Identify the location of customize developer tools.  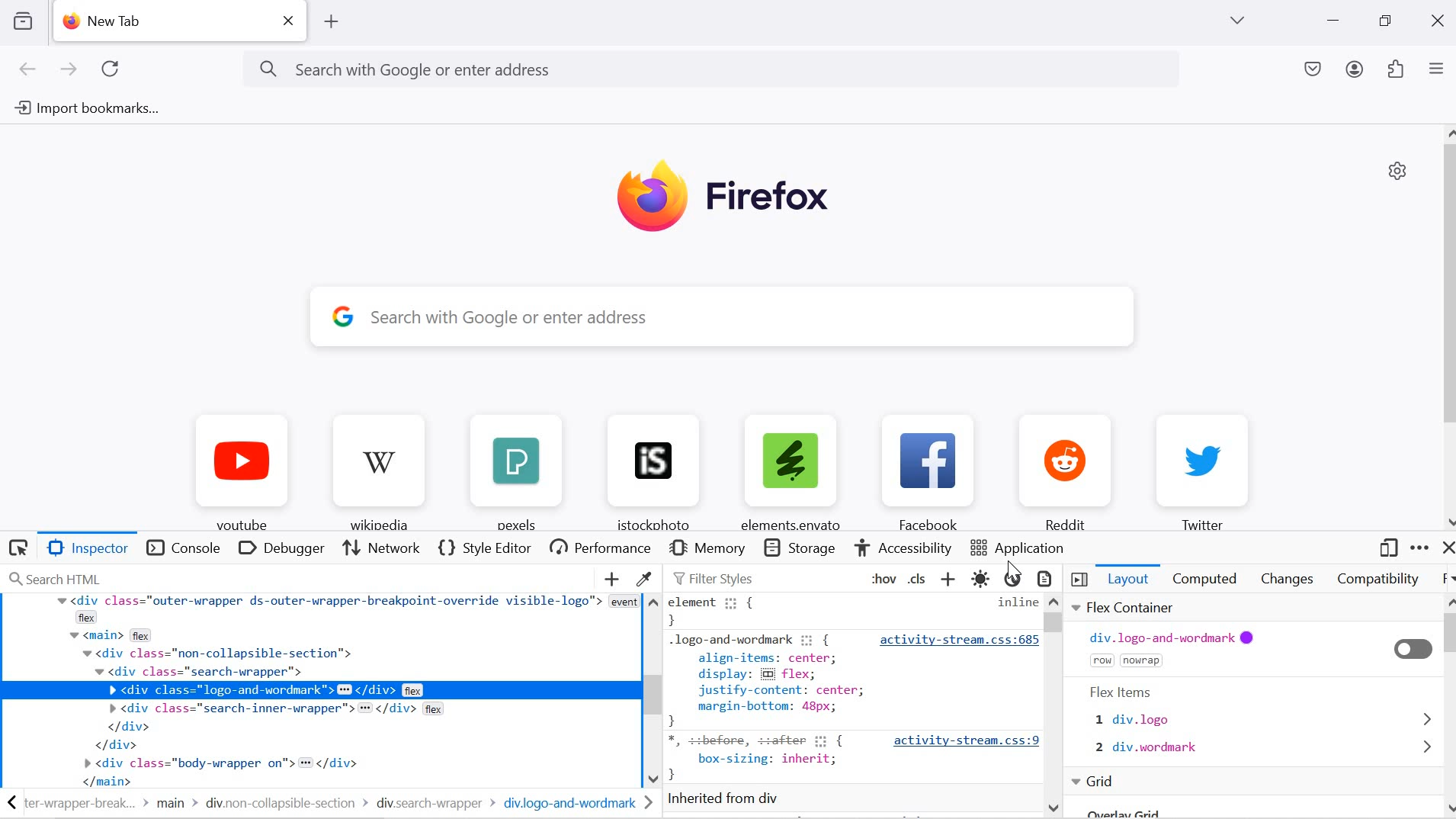
(1421, 548).